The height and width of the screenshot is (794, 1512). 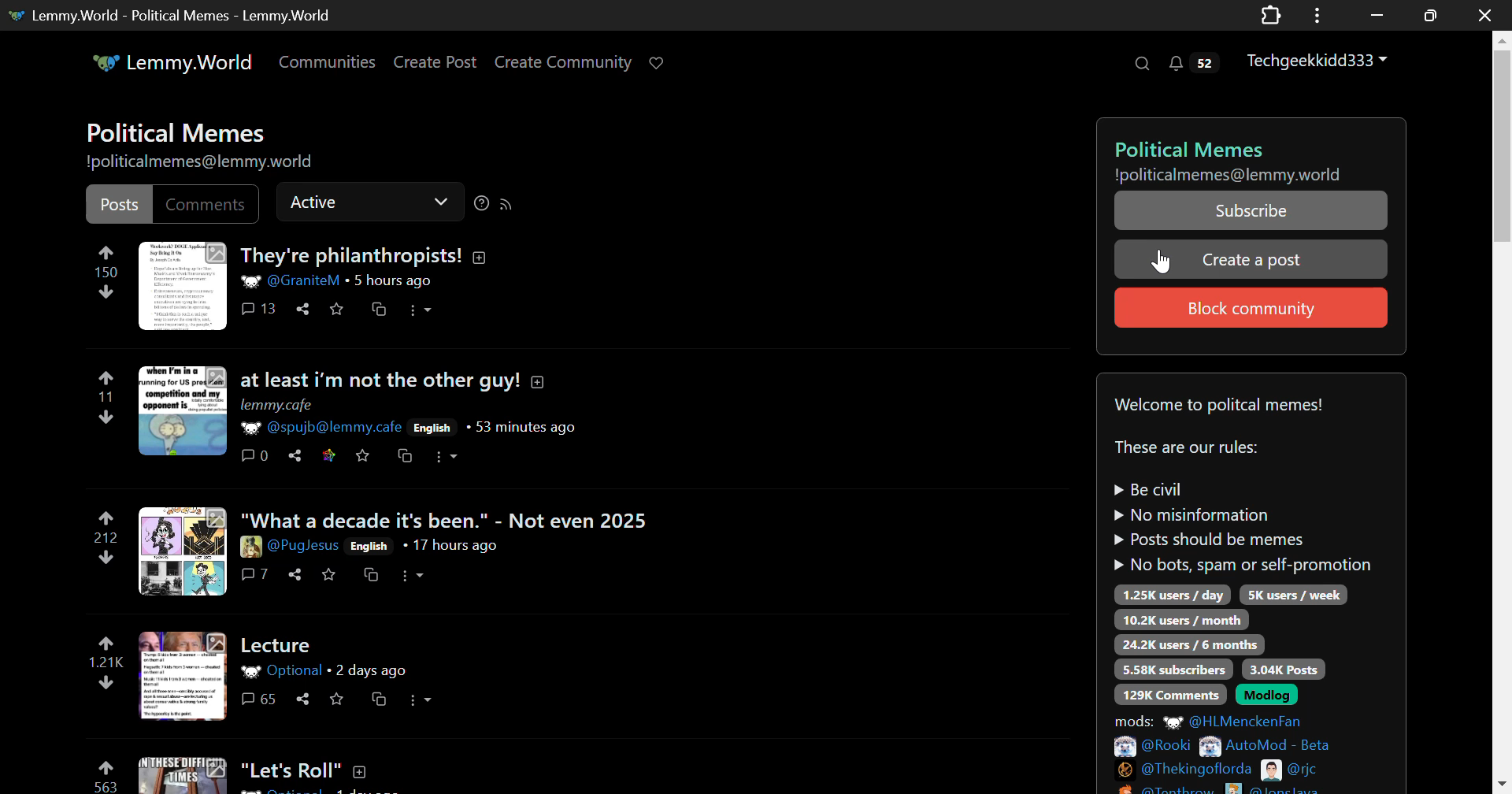 I want to click on @PugJesus, so click(x=290, y=546).